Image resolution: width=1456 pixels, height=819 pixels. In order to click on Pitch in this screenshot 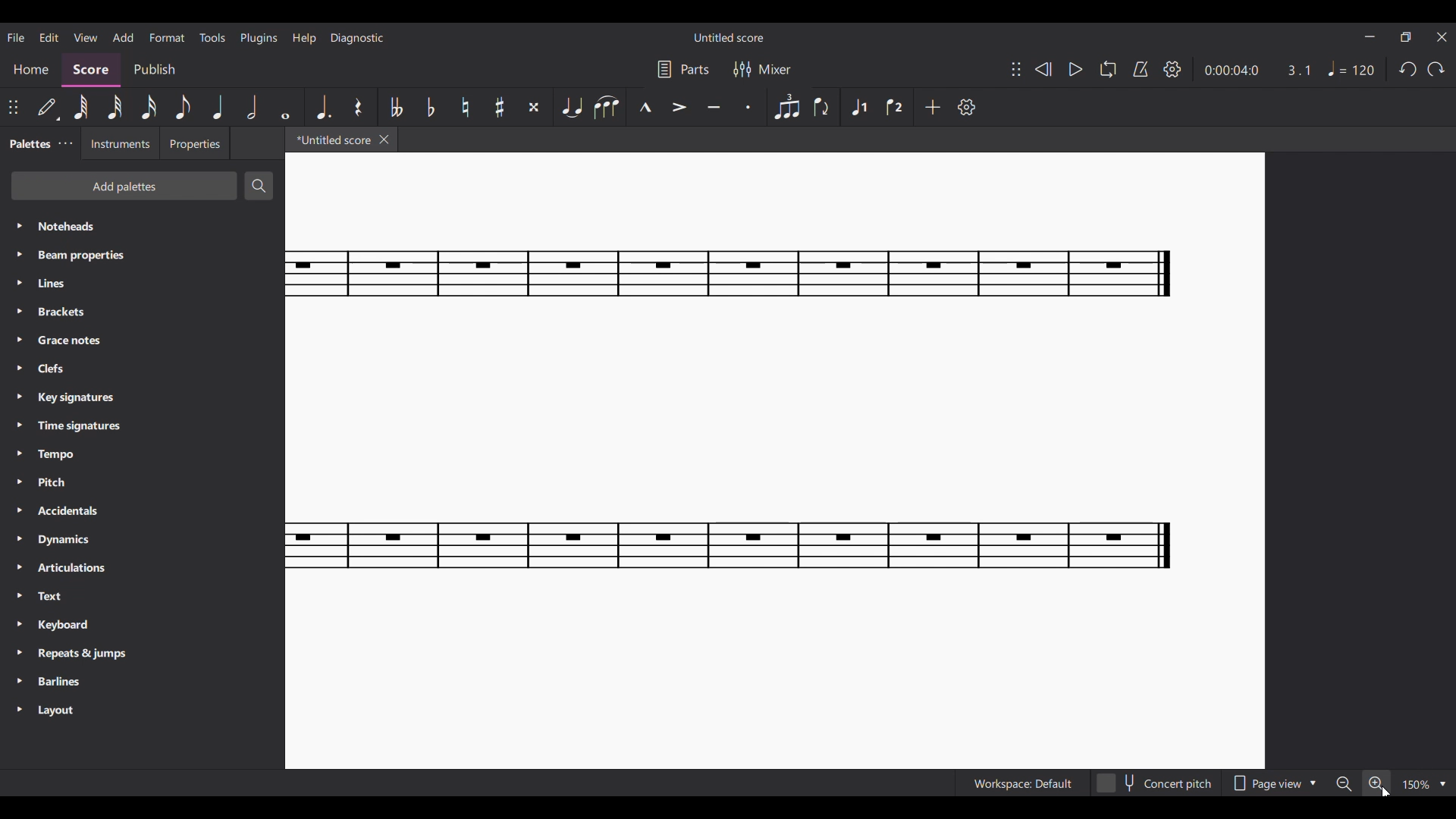, I will do `click(142, 482)`.